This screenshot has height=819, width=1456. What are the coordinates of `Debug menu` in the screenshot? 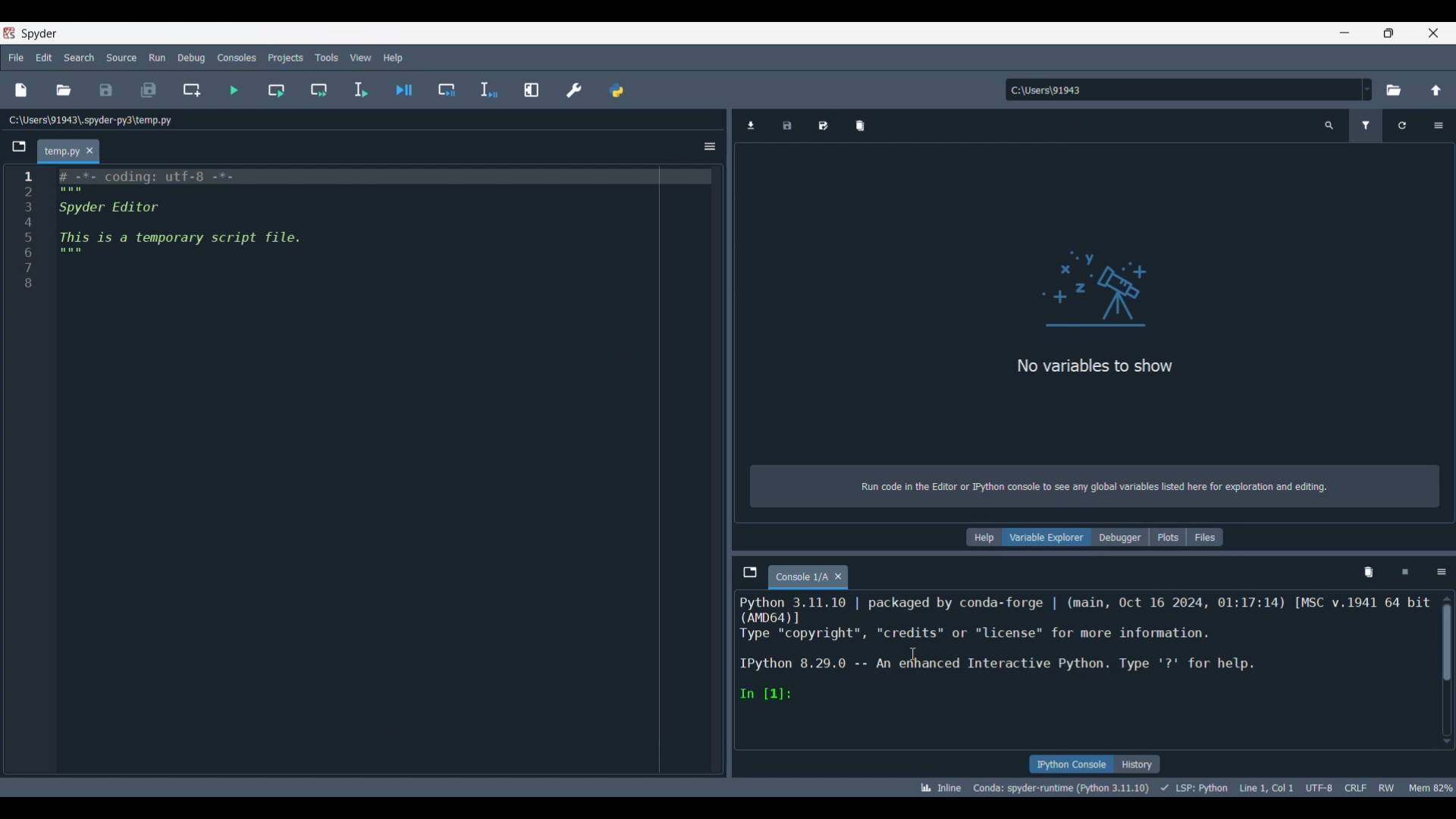 It's located at (192, 58).